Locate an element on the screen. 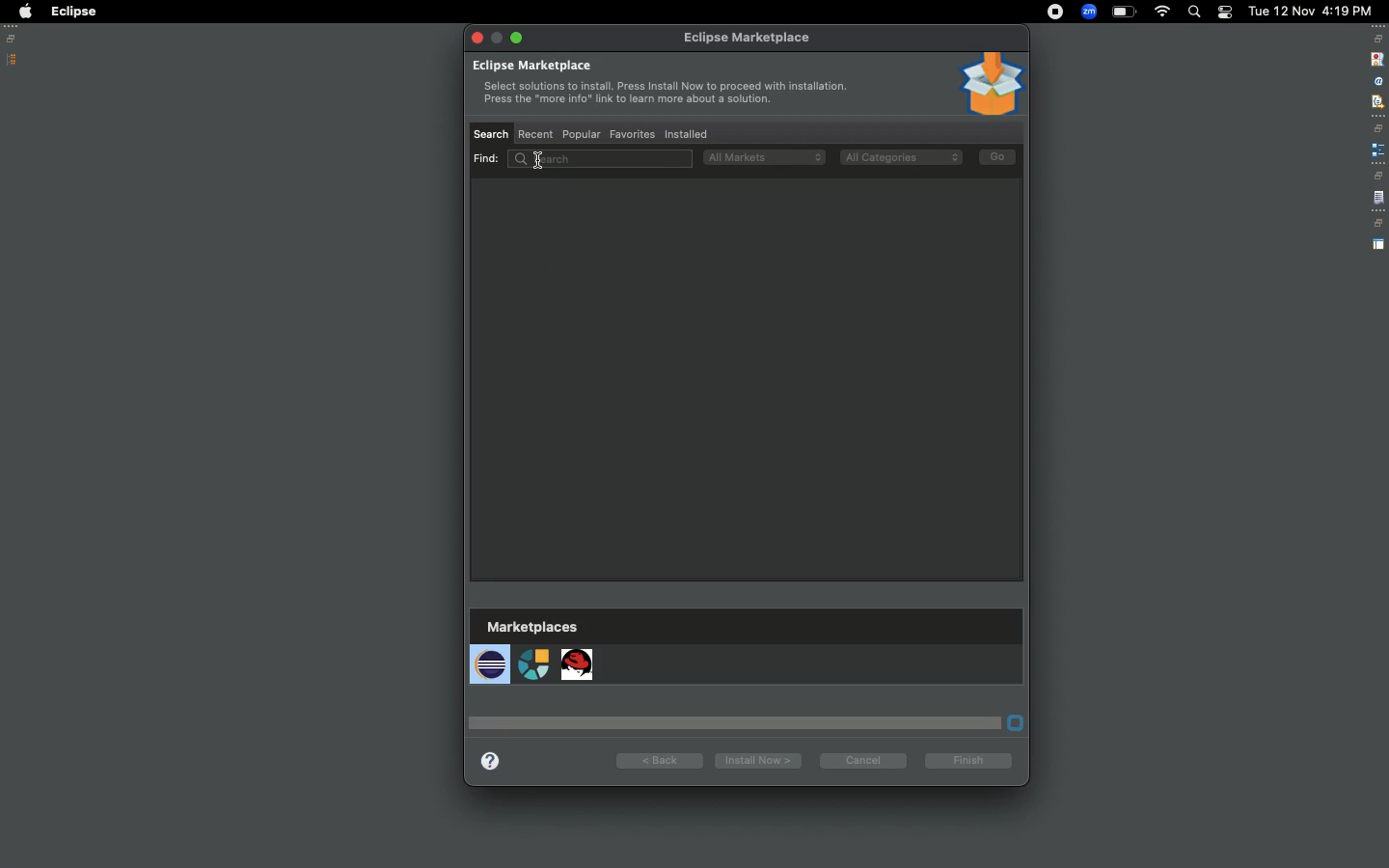 This screenshot has height=868, width=1389. Date/time is located at coordinates (1312, 10).